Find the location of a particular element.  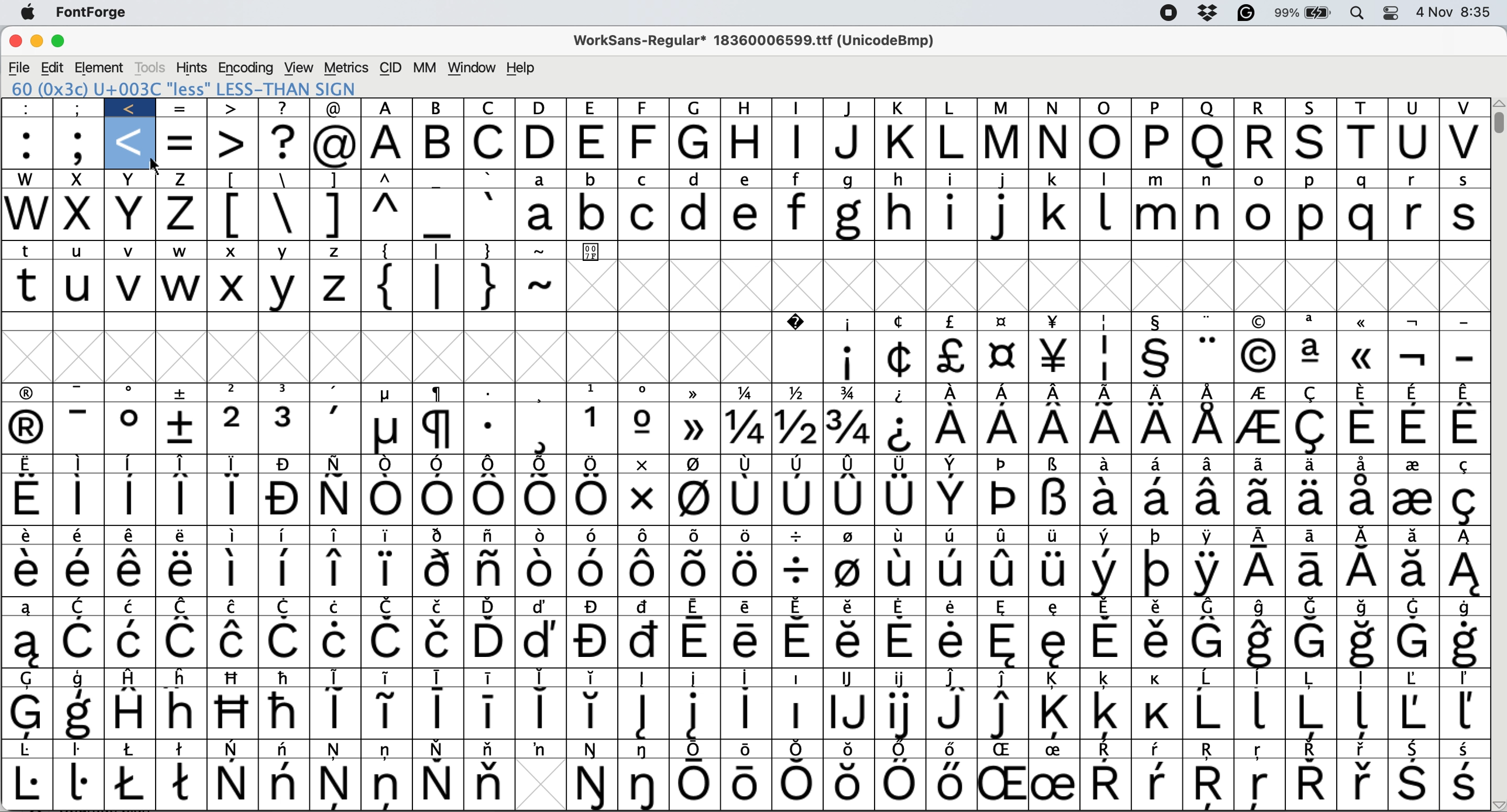

Symbol is located at coordinates (1056, 359).